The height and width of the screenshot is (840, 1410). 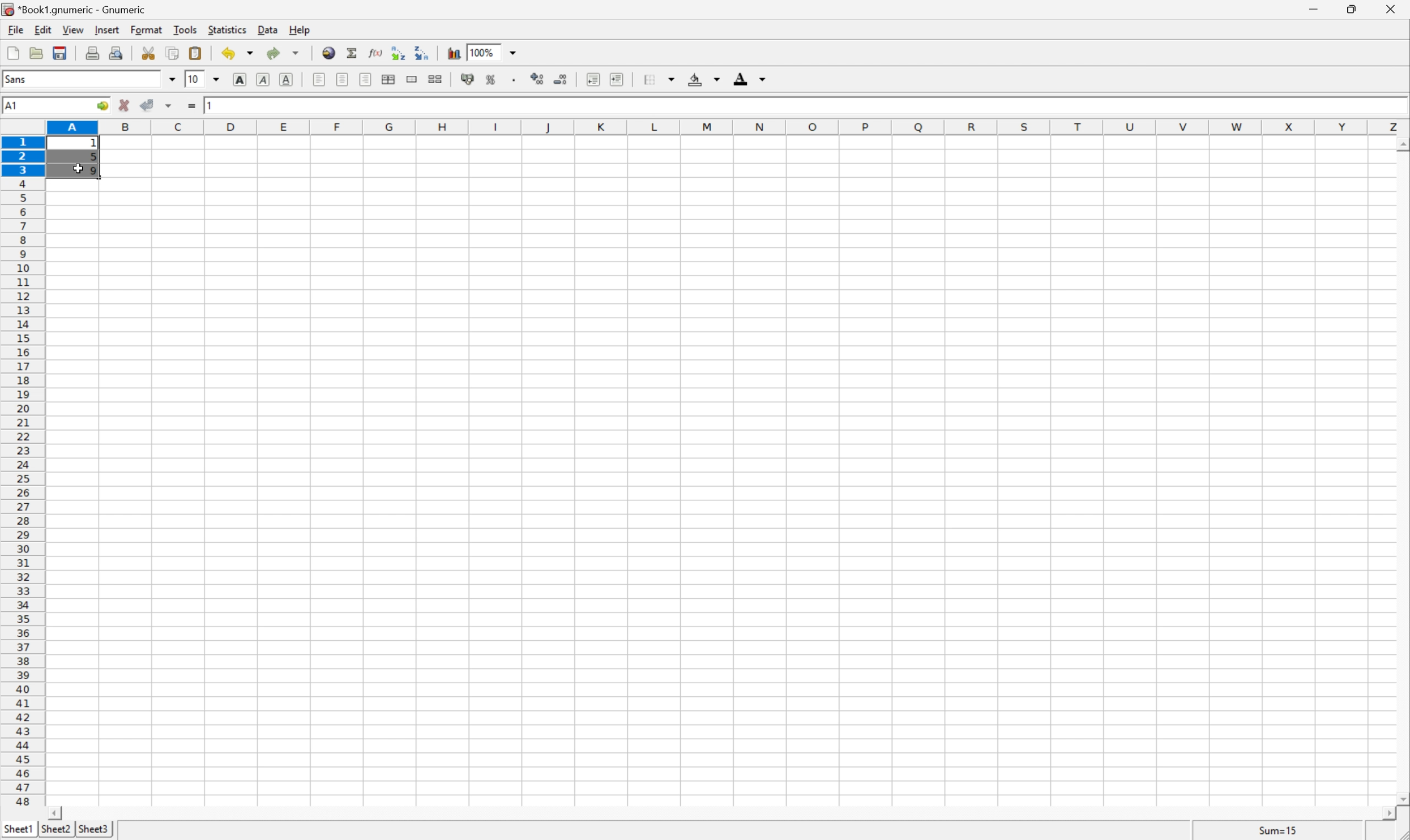 I want to click on sum=15, so click(x=1278, y=830).